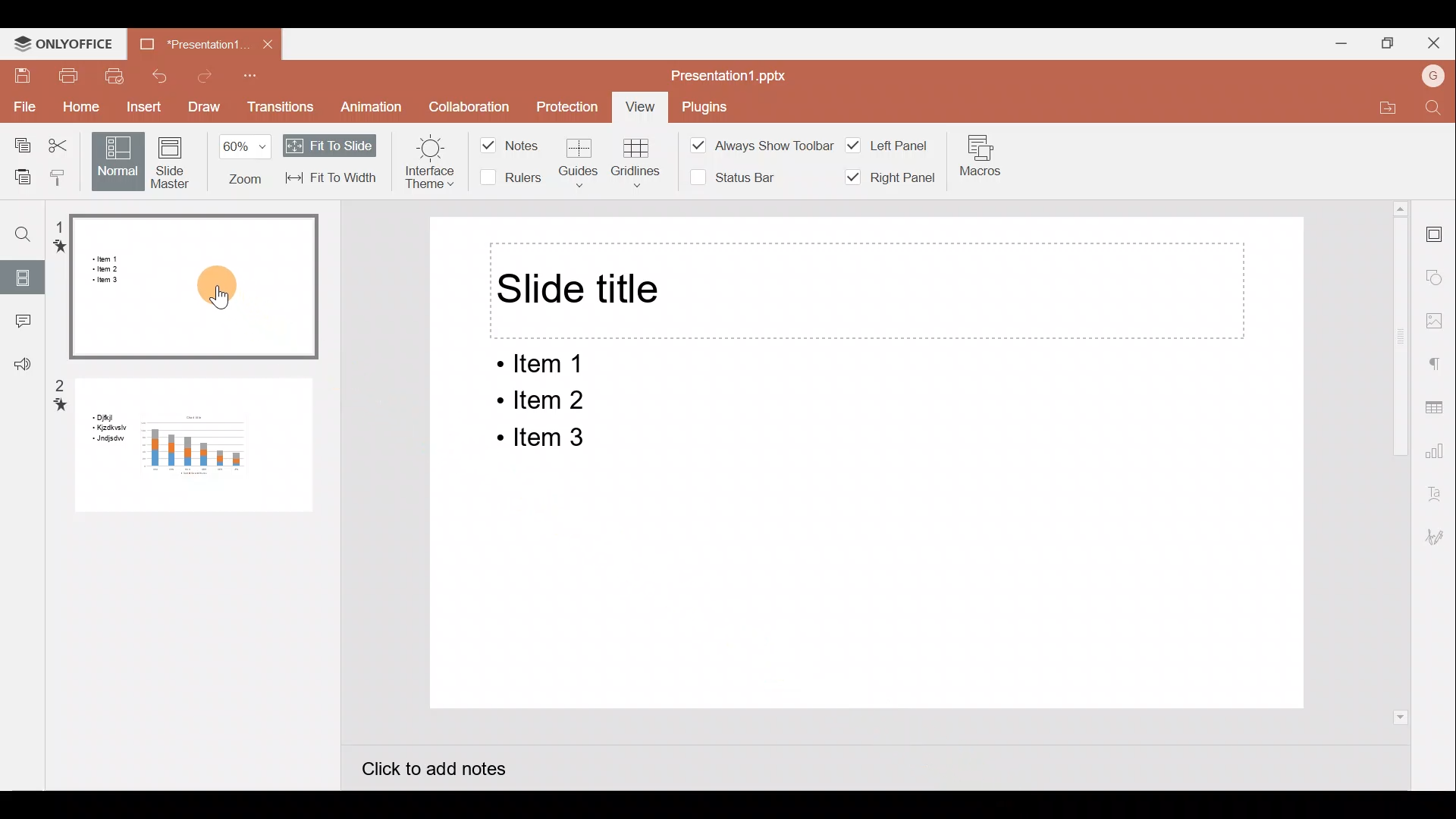  Describe the element at coordinates (890, 144) in the screenshot. I see `Left panel` at that location.